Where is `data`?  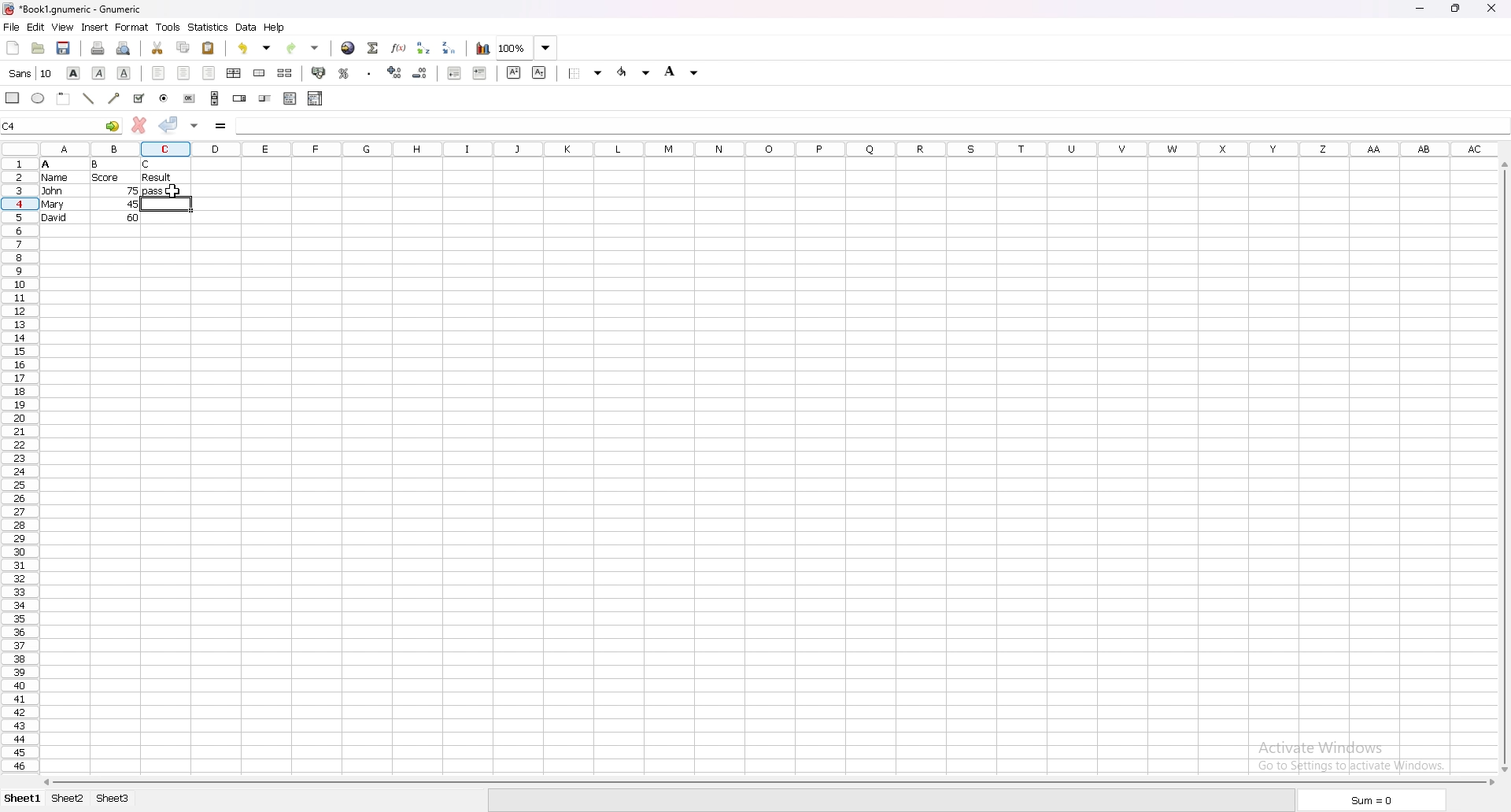
data is located at coordinates (246, 27).